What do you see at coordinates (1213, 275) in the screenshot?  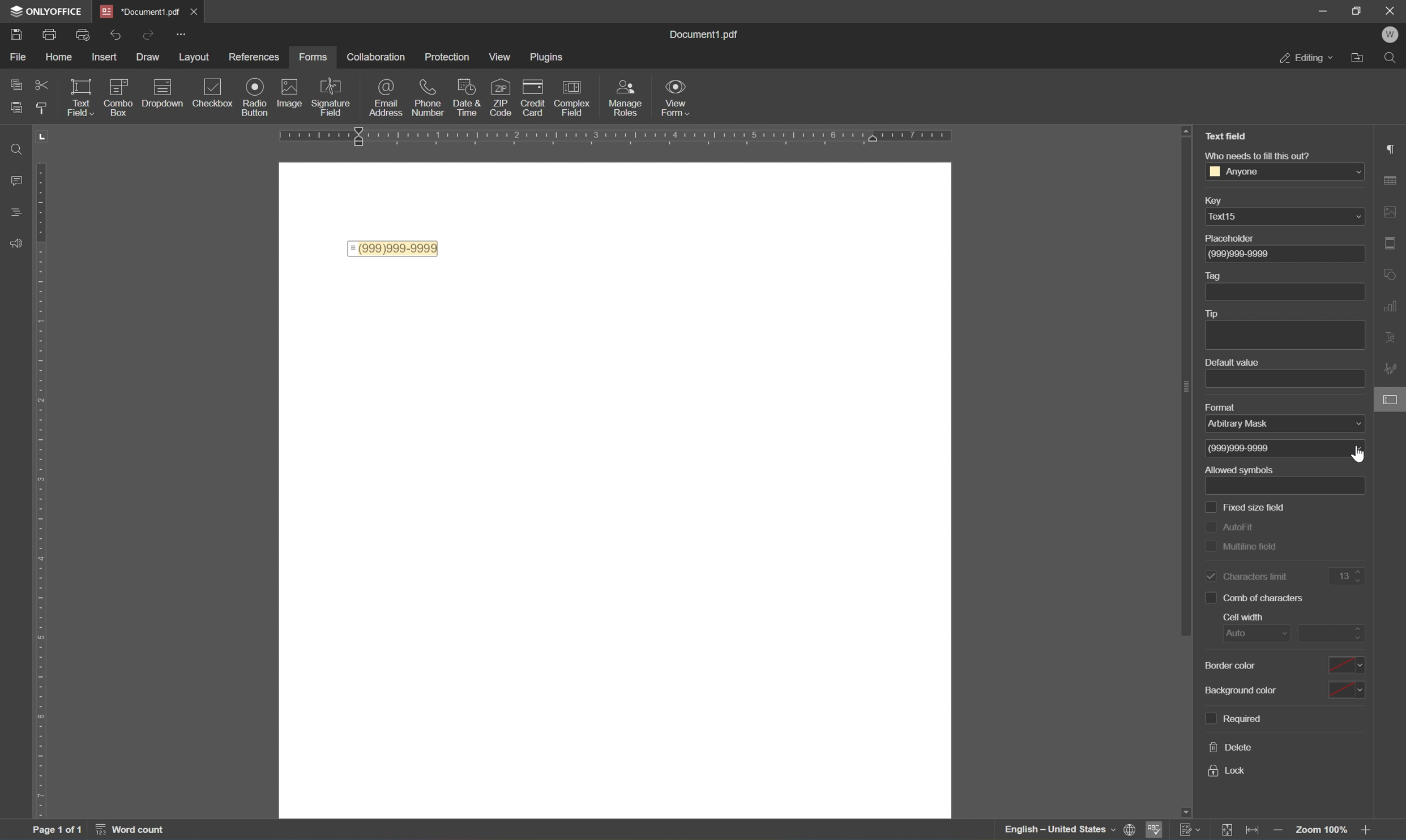 I see `tag` at bounding box center [1213, 275].